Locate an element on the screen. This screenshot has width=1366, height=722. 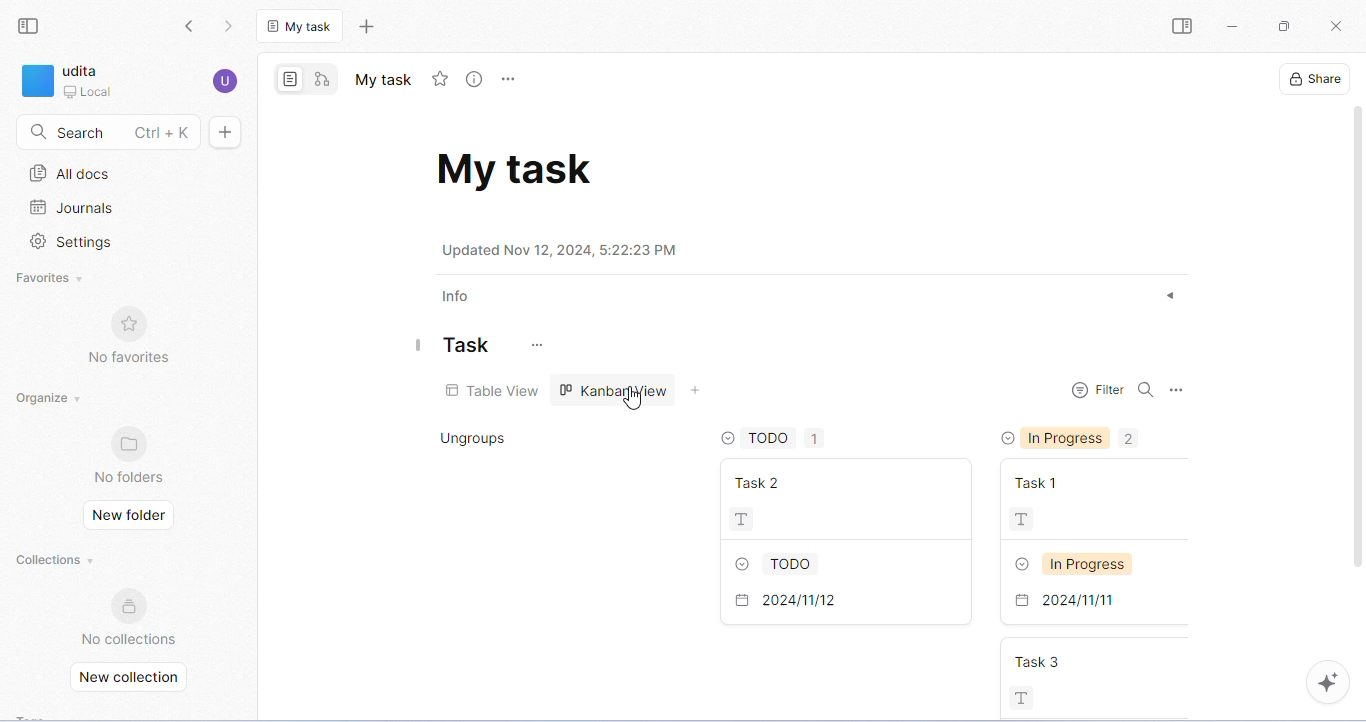
search is located at coordinates (108, 133).